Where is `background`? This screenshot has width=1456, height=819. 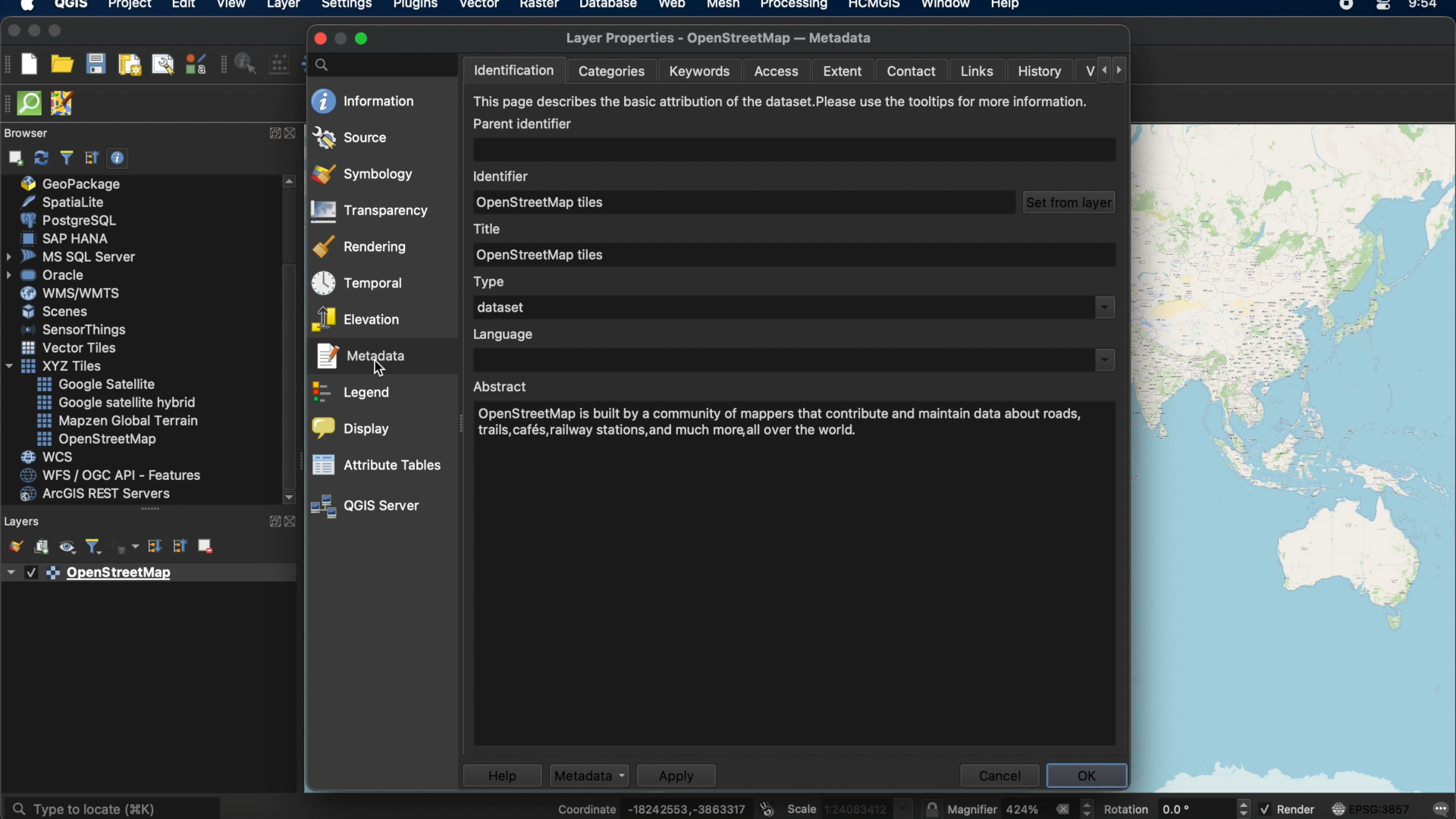
background is located at coordinates (1292, 458).